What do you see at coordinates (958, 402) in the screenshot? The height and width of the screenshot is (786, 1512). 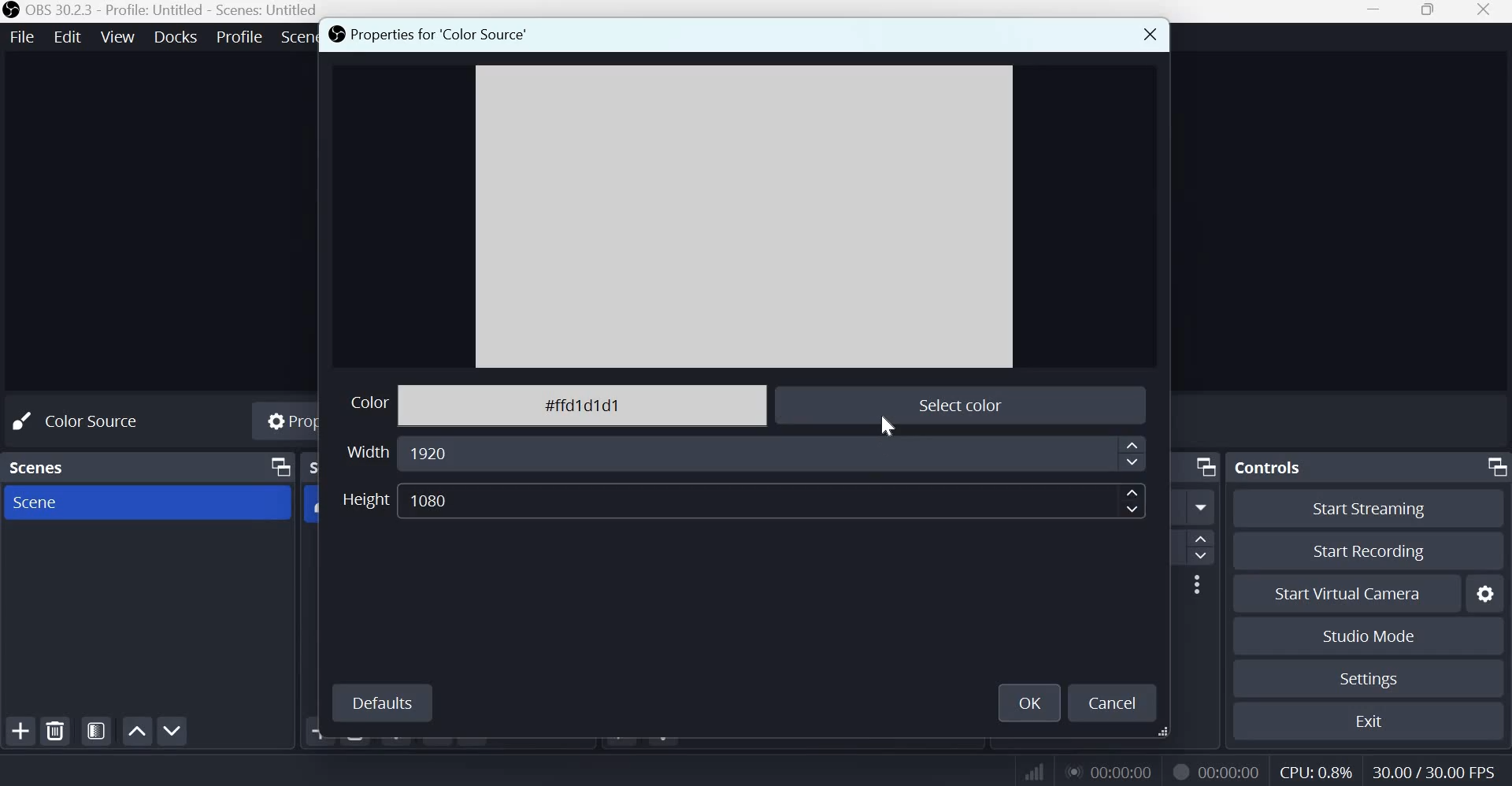 I see `Select color` at bounding box center [958, 402].